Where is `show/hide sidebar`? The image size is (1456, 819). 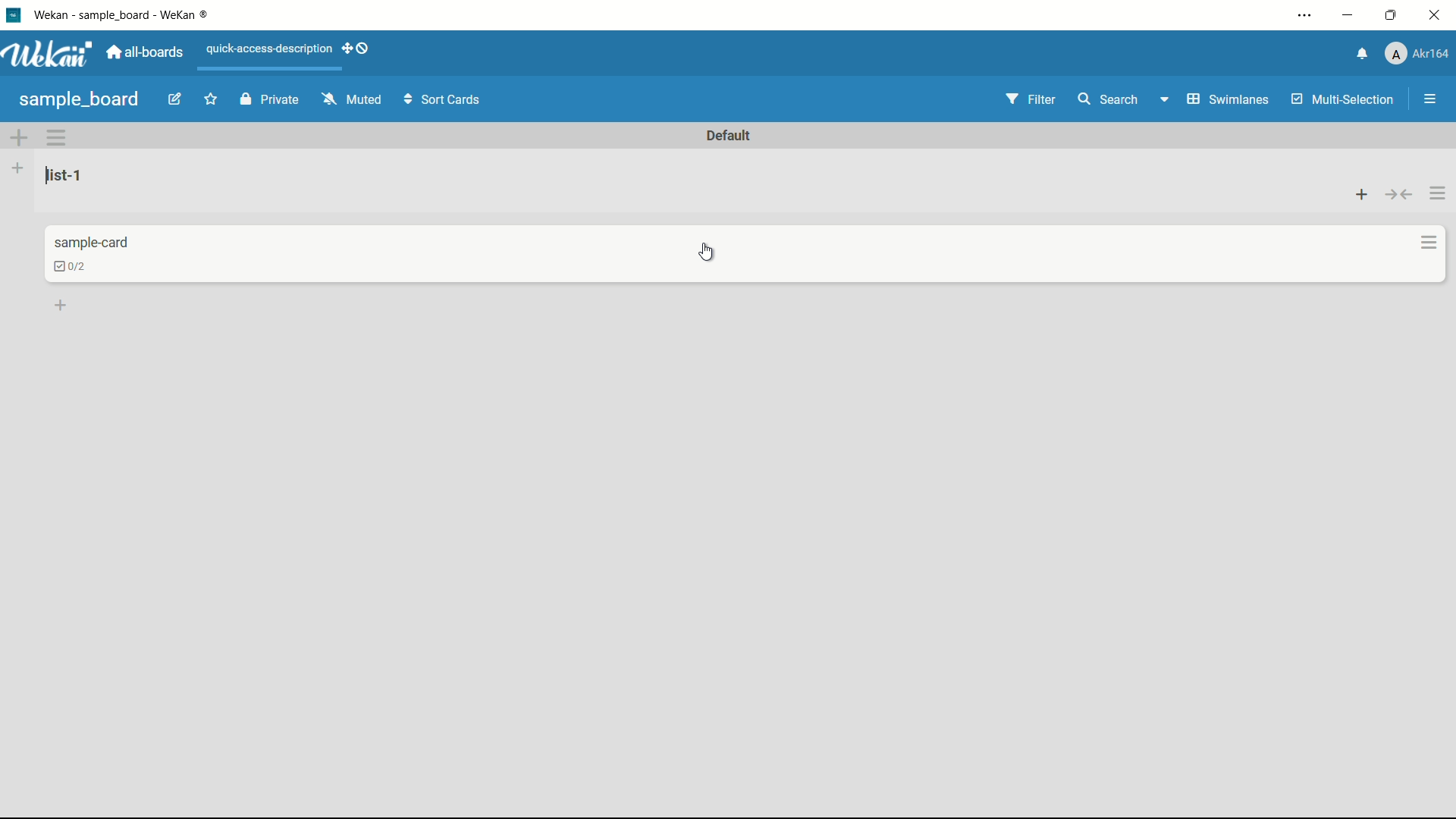
show/hide sidebar is located at coordinates (1429, 99).